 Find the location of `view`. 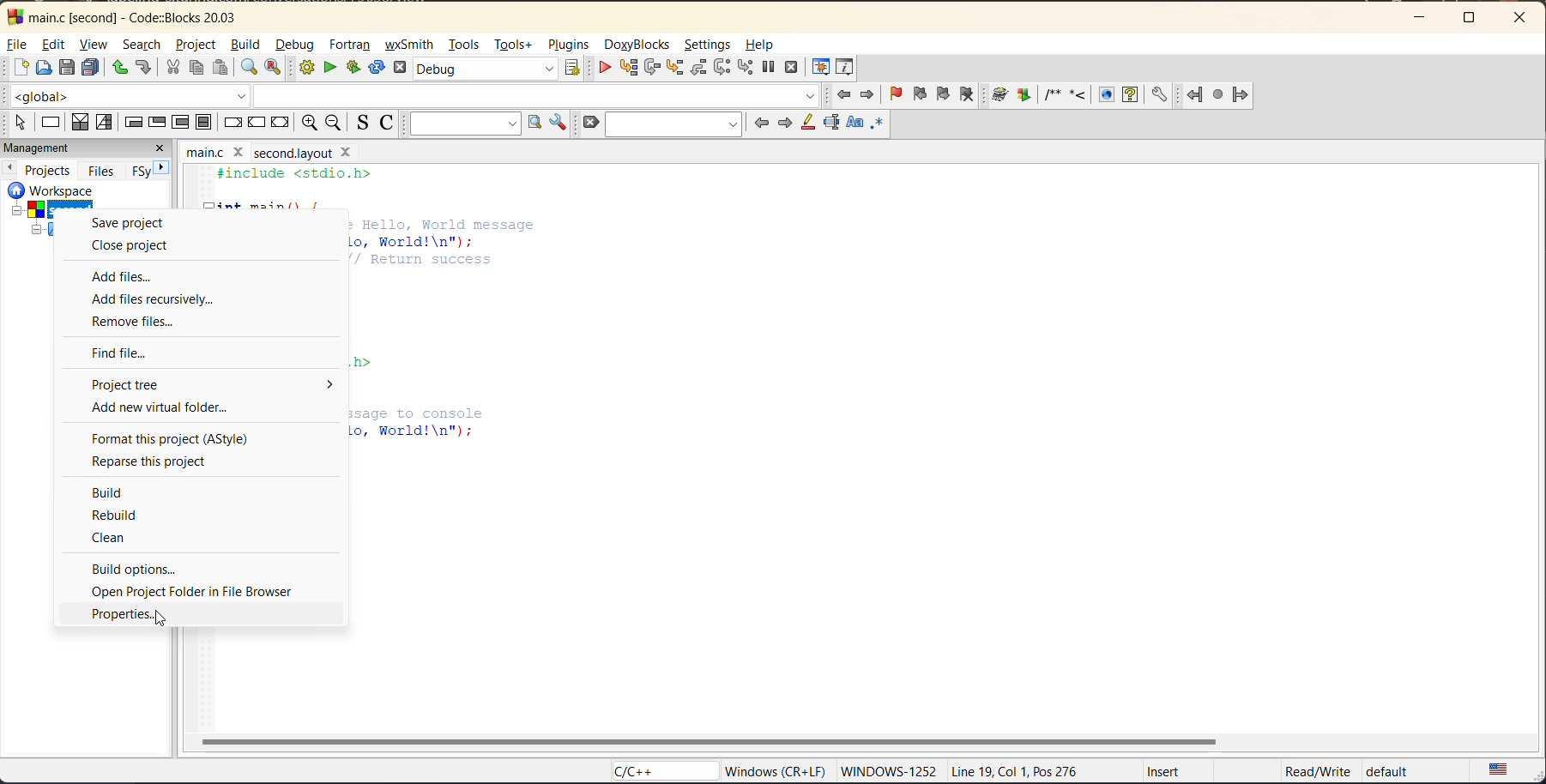

view is located at coordinates (94, 45).